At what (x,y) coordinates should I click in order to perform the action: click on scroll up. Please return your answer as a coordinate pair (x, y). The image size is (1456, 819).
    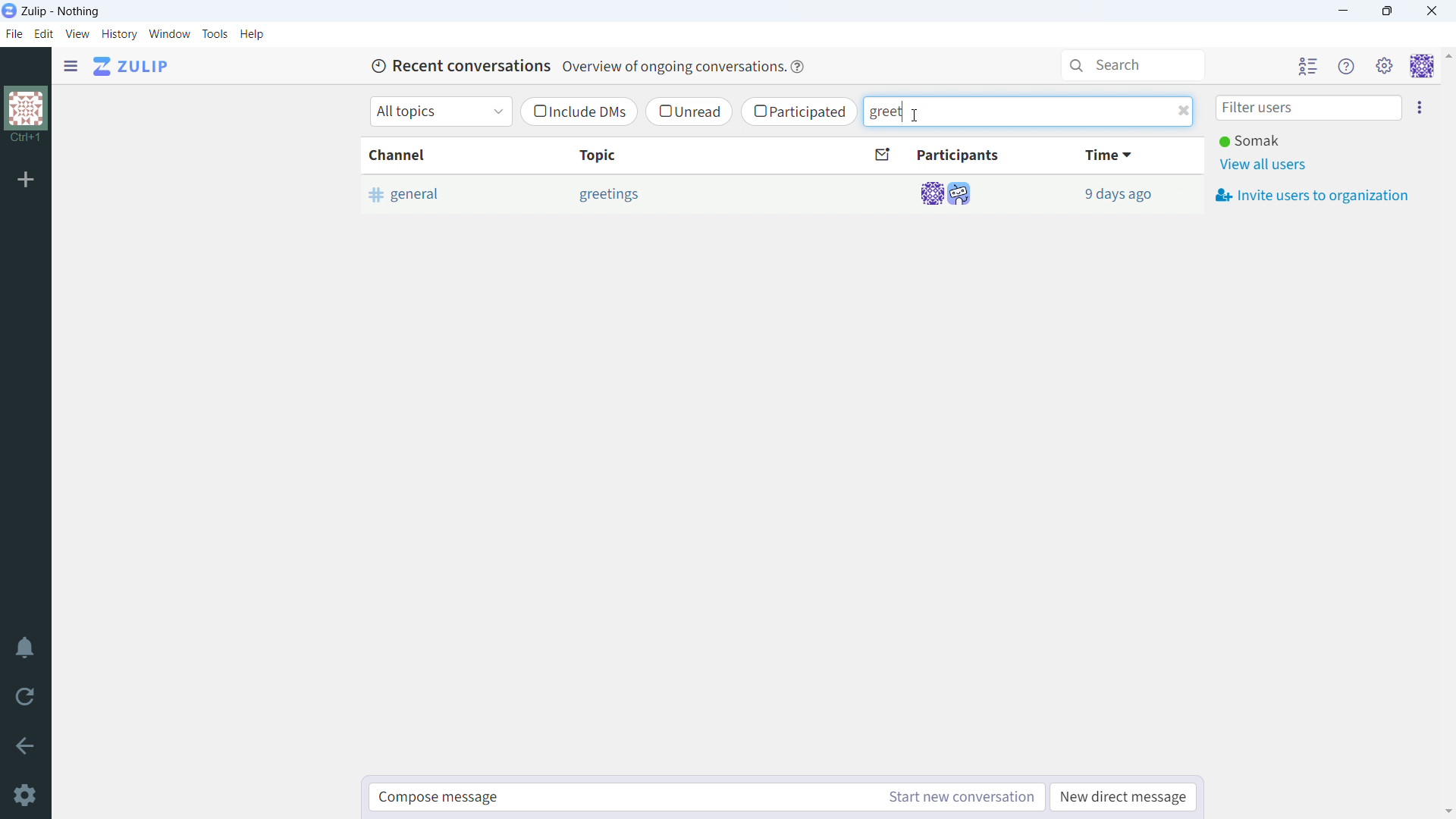
    Looking at the image, I should click on (1447, 55).